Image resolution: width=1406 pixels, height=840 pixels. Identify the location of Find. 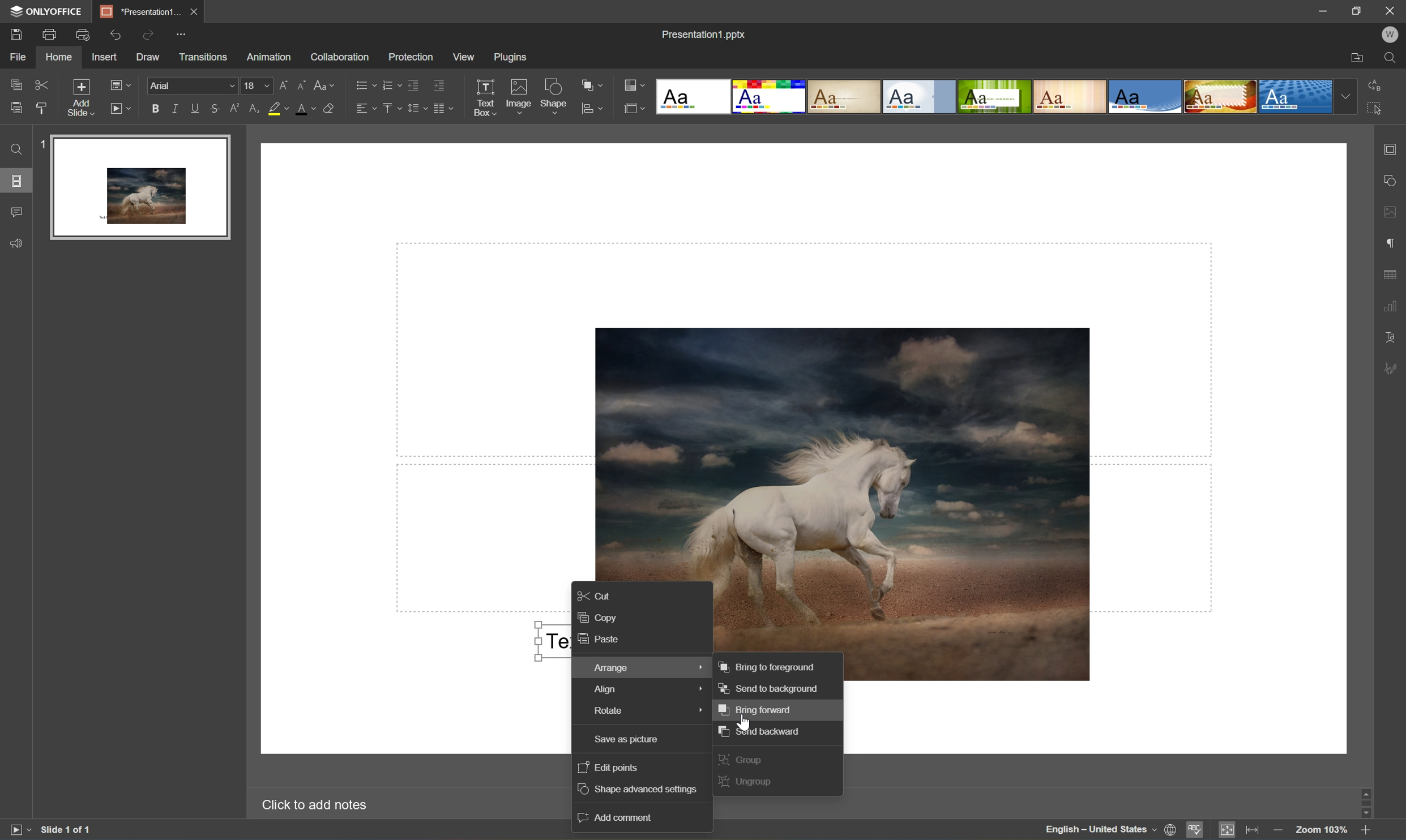
(1391, 58).